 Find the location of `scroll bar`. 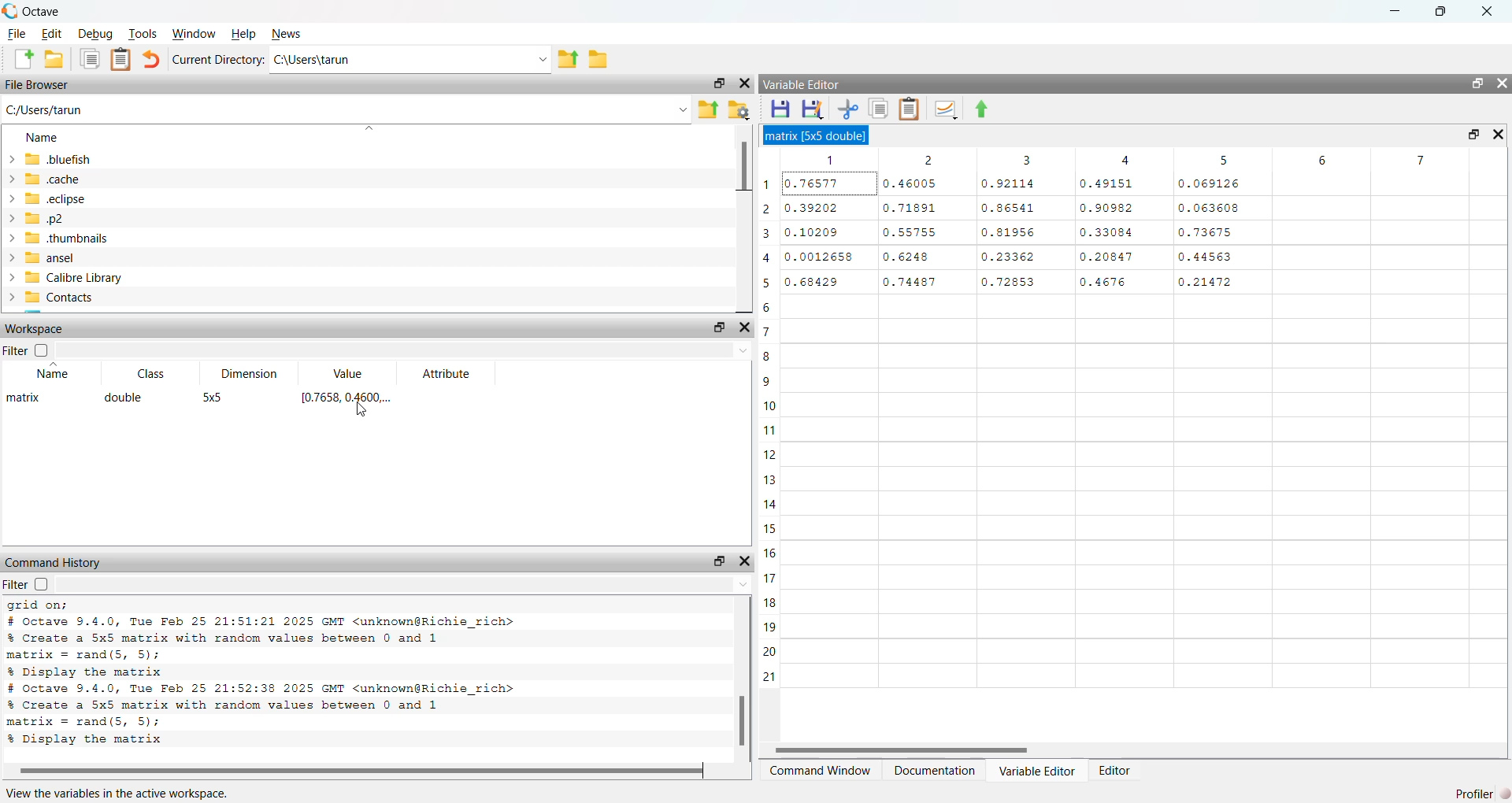

scroll bar is located at coordinates (739, 676).